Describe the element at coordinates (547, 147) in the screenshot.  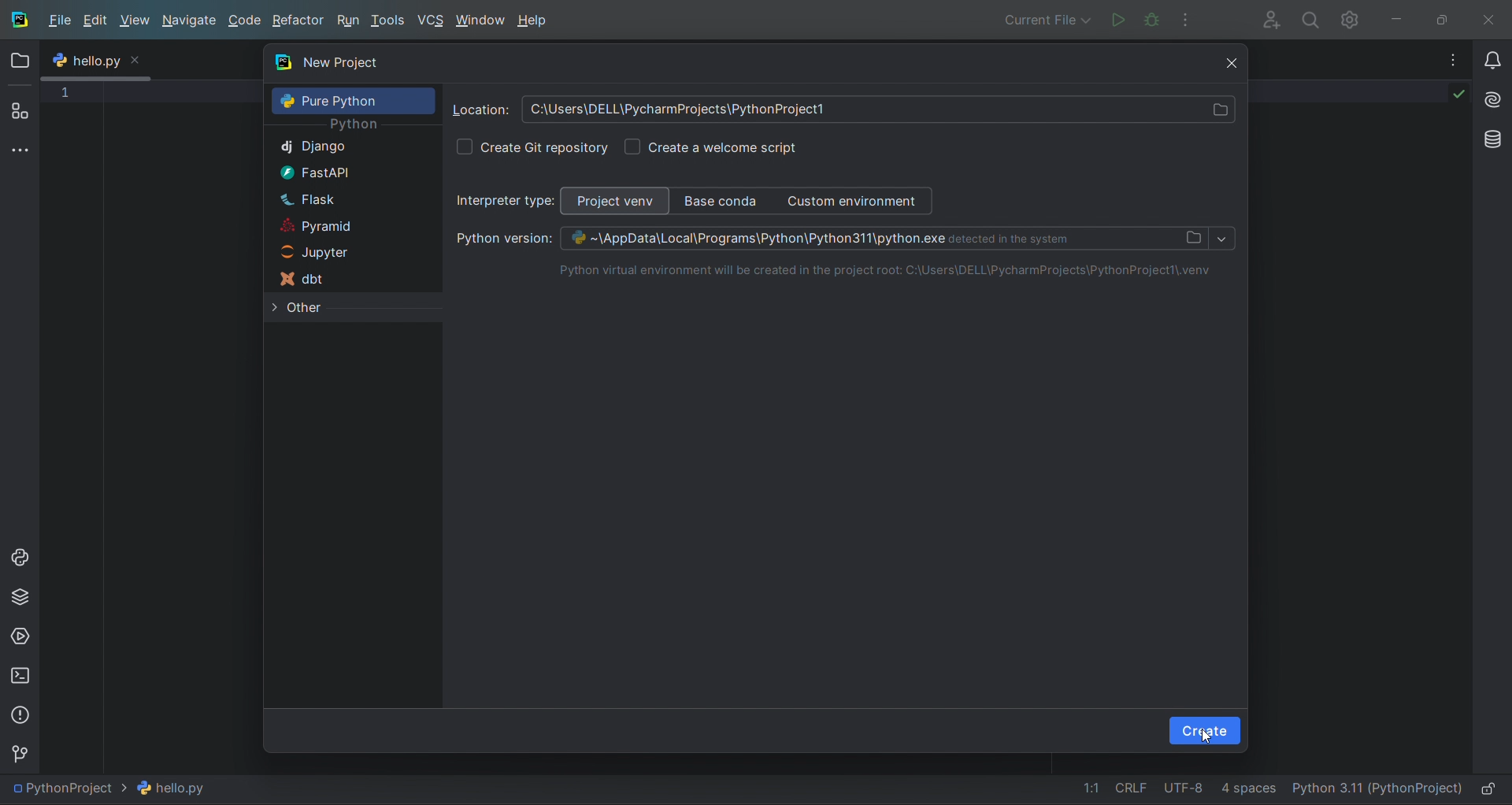
I see `creat git repository` at that location.